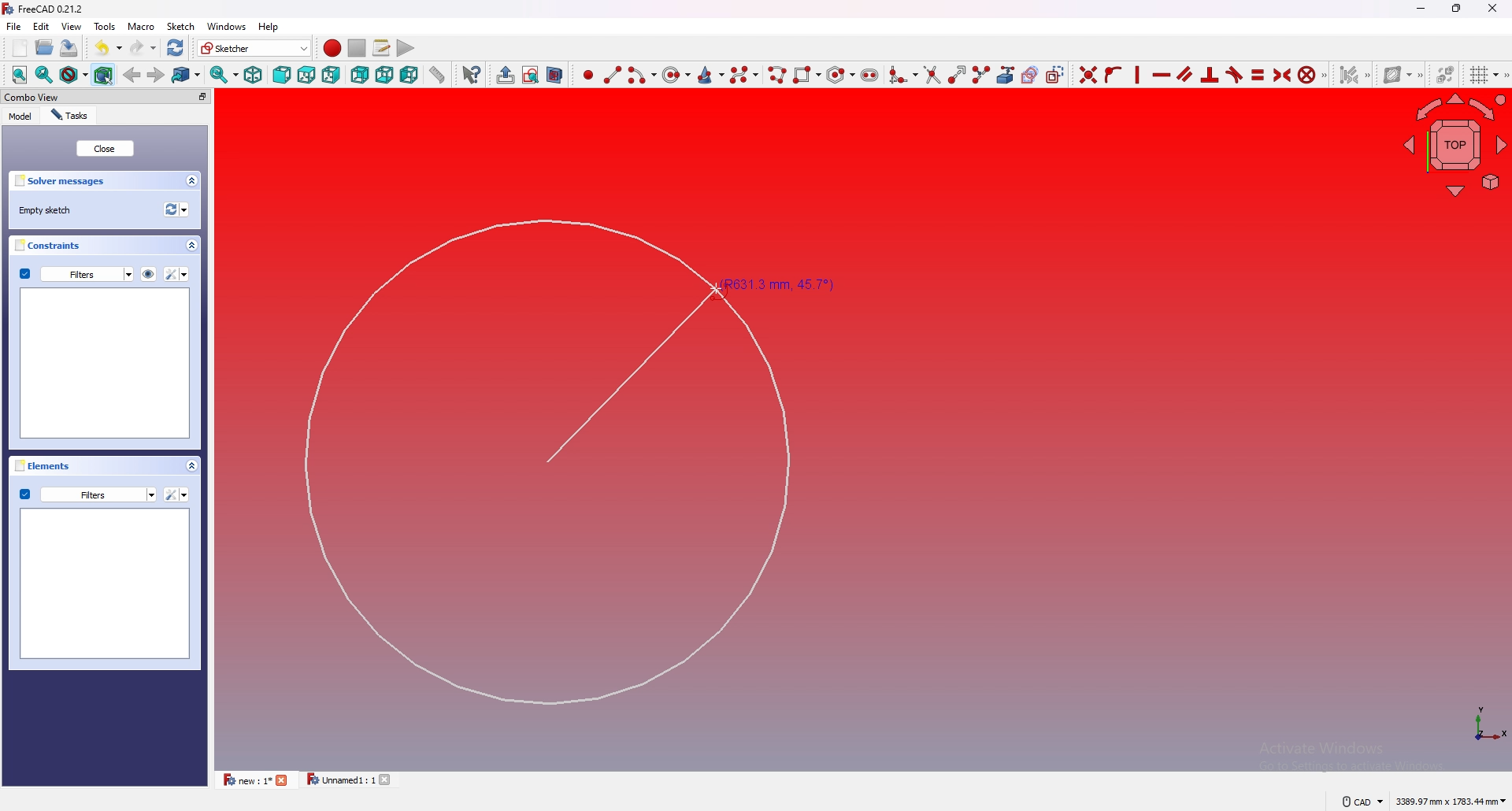  Describe the element at coordinates (871, 76) in the screenshot. I see `create slot` at that location.